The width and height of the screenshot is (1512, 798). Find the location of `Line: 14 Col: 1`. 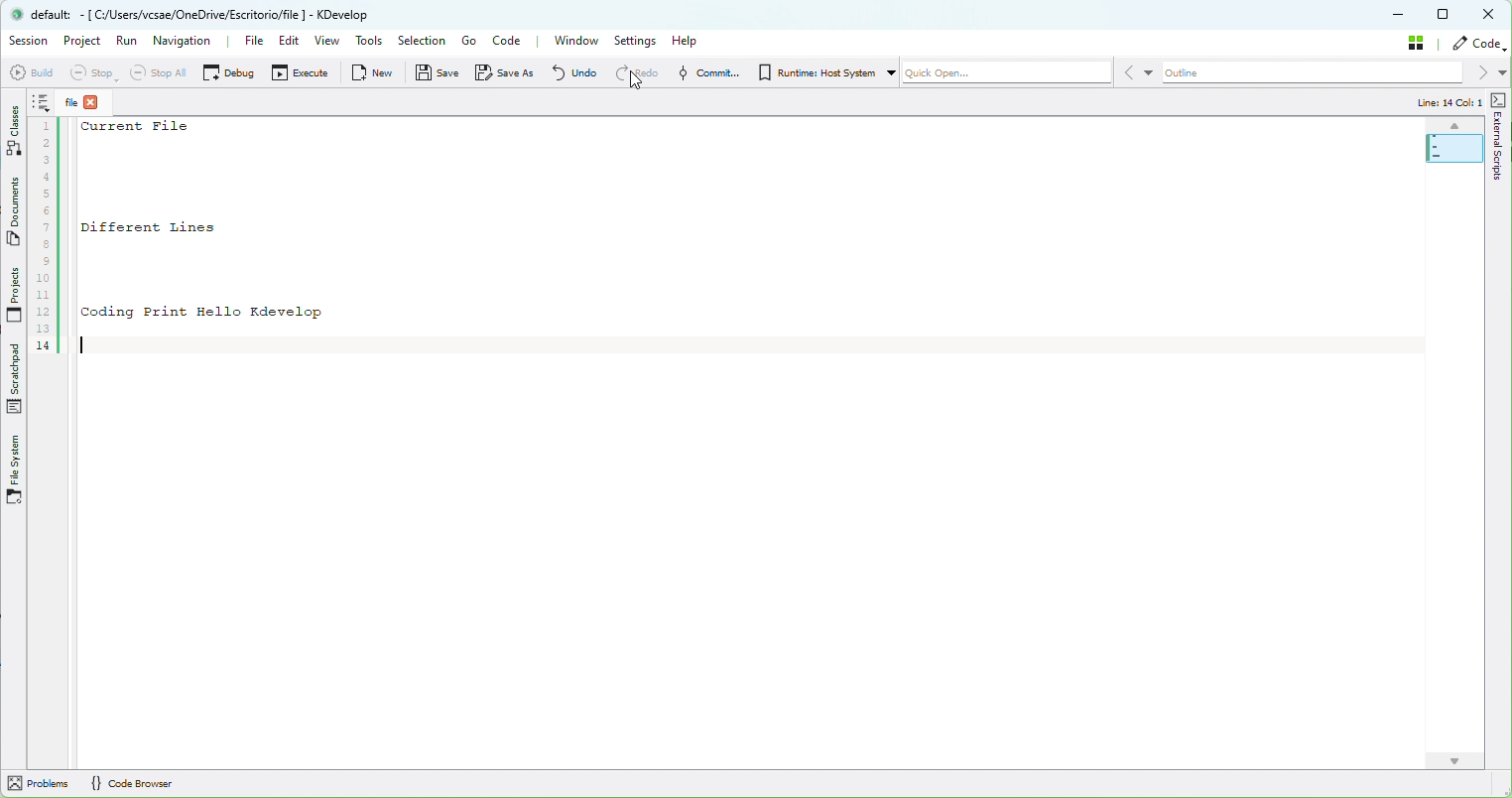

Line: 14 Col: 1 is located at coordinates (1458, 98).